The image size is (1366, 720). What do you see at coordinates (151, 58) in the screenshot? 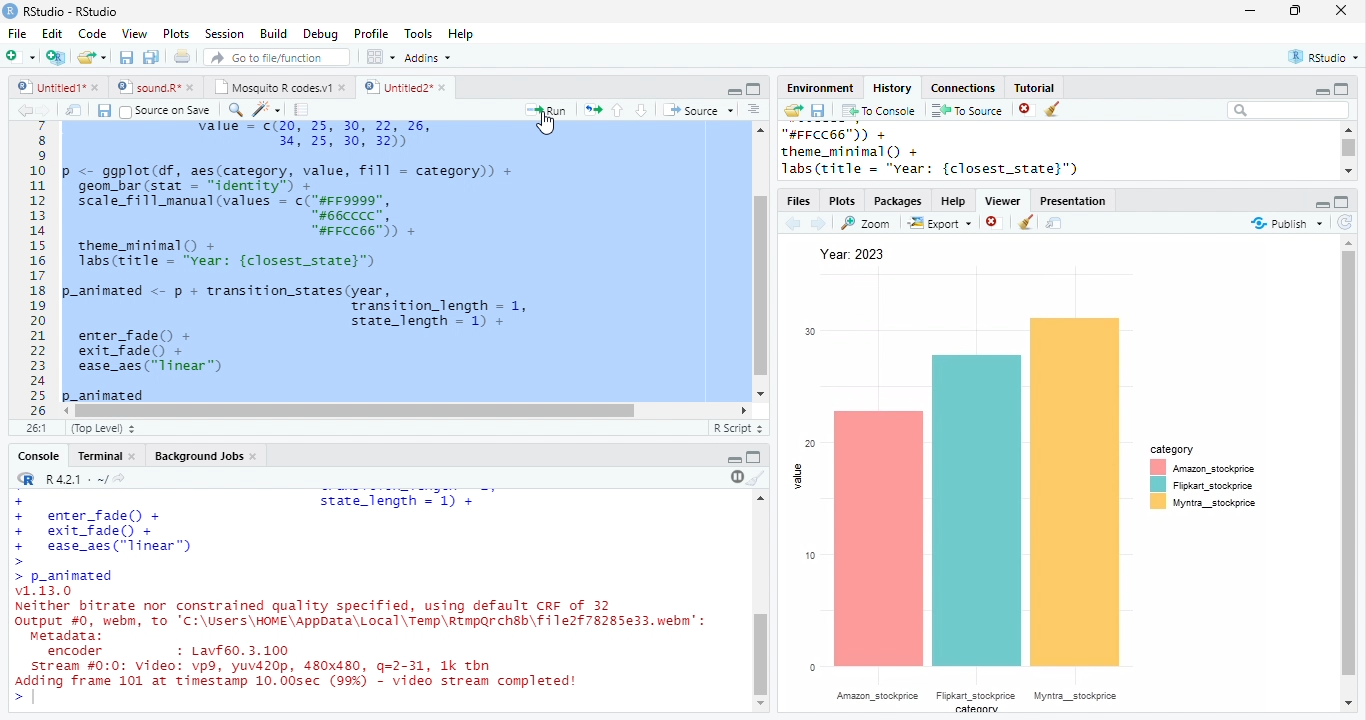
I see `save all` at bounding box center [151, 58].